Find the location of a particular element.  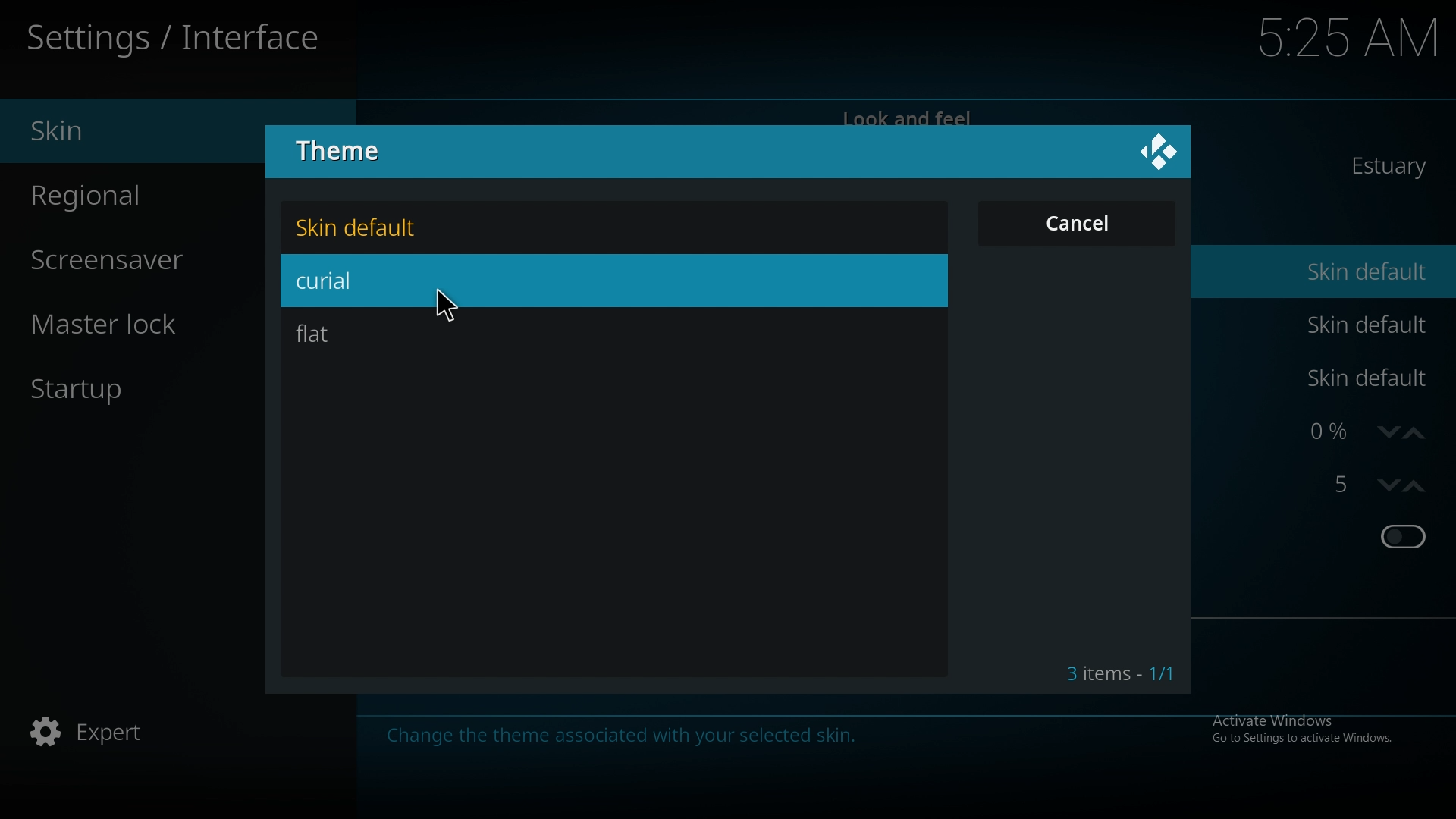

startup is located at coordinates (110, 394).